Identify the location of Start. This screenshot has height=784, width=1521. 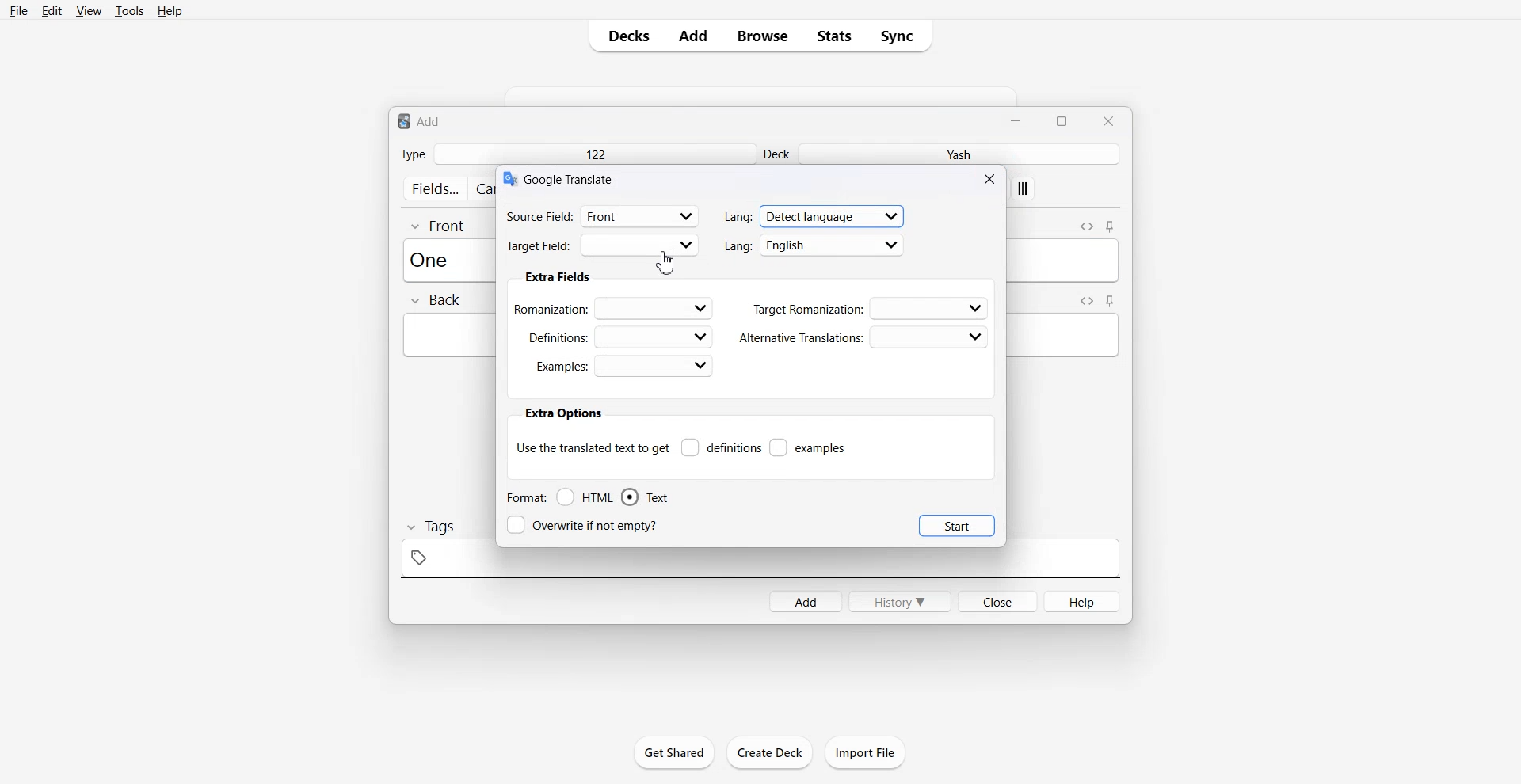
(957, 525).